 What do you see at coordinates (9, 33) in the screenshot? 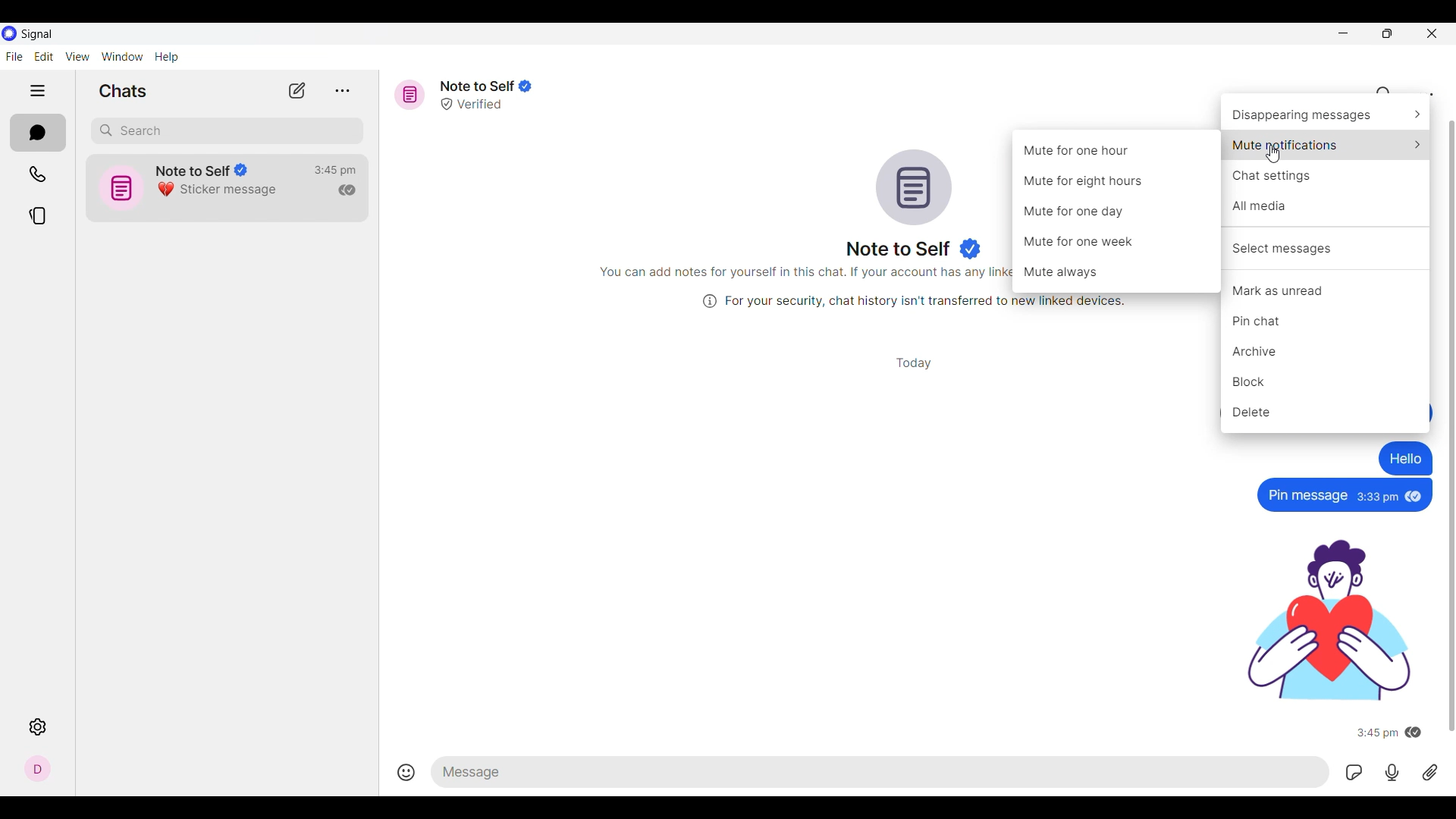
I see `Software logo` at bounding box center [9, 33].